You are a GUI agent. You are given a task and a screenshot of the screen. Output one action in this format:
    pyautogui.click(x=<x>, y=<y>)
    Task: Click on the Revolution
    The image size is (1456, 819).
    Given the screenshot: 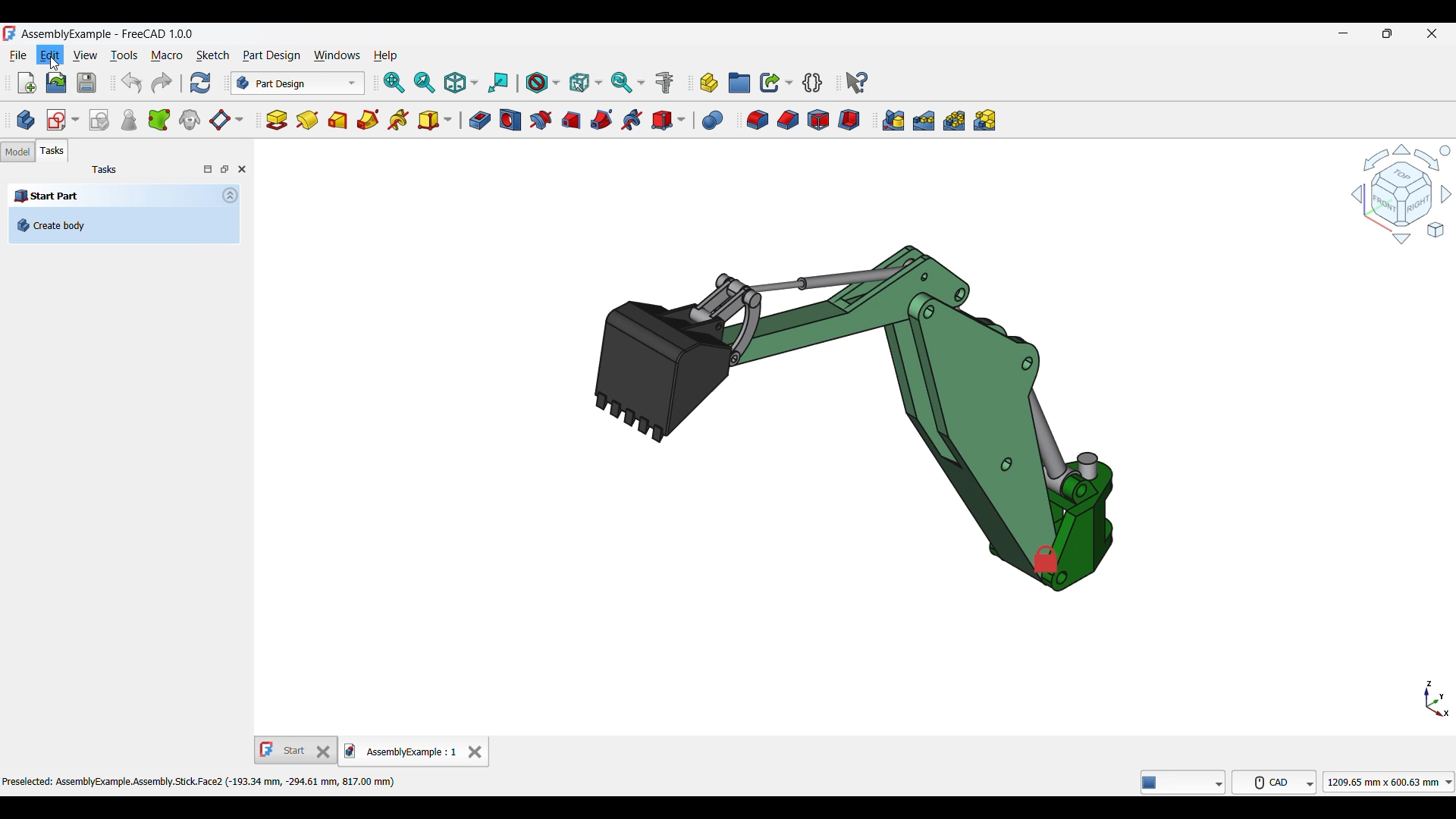 What is the action you would take?
    pyautogui.click(x=308, y=120)
    